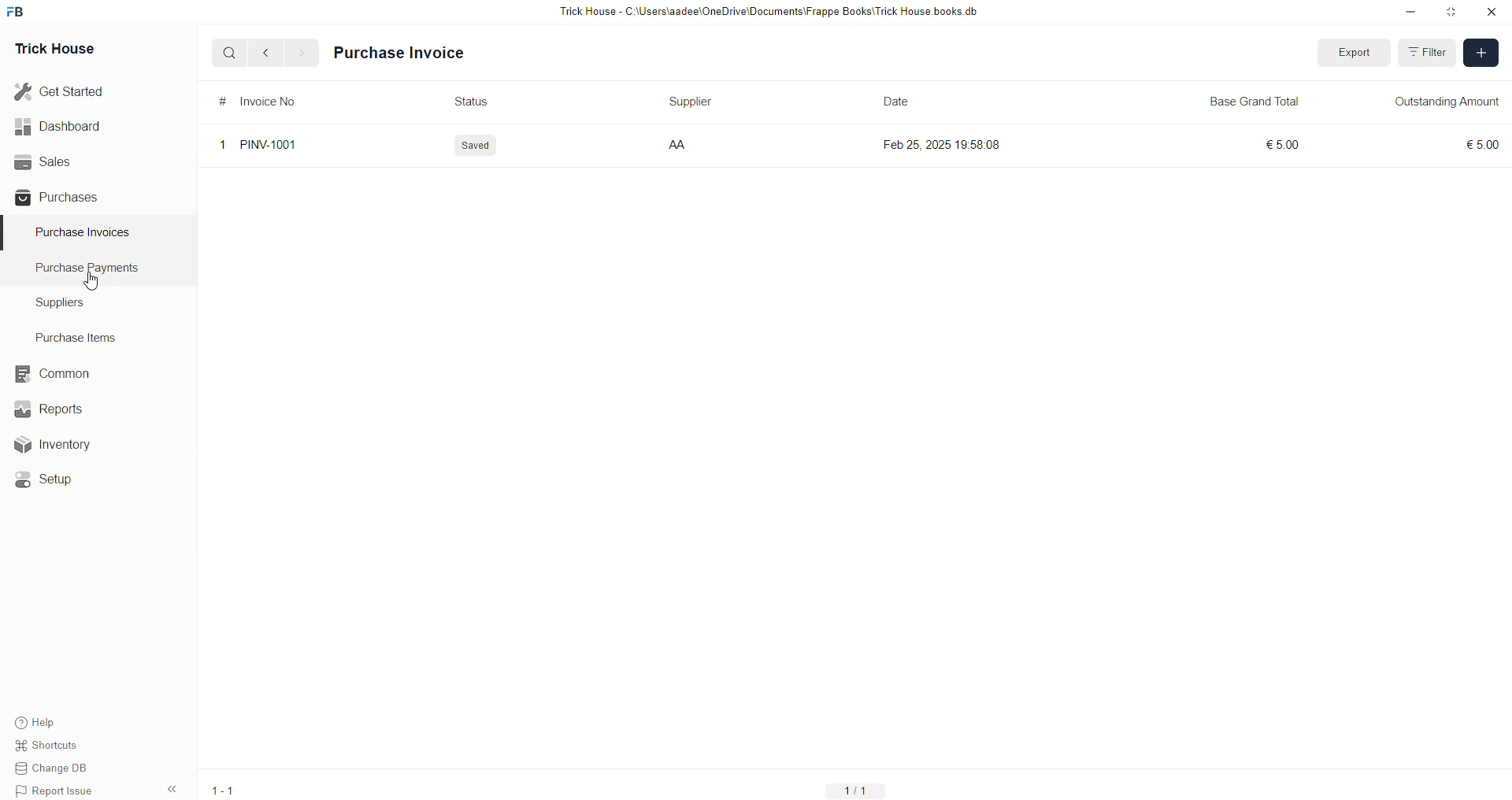 The image size is (1512, 800). What do you see at coordinates (897, 101) in the screenshot?
I see `Date` at bounding box center [897, 101].